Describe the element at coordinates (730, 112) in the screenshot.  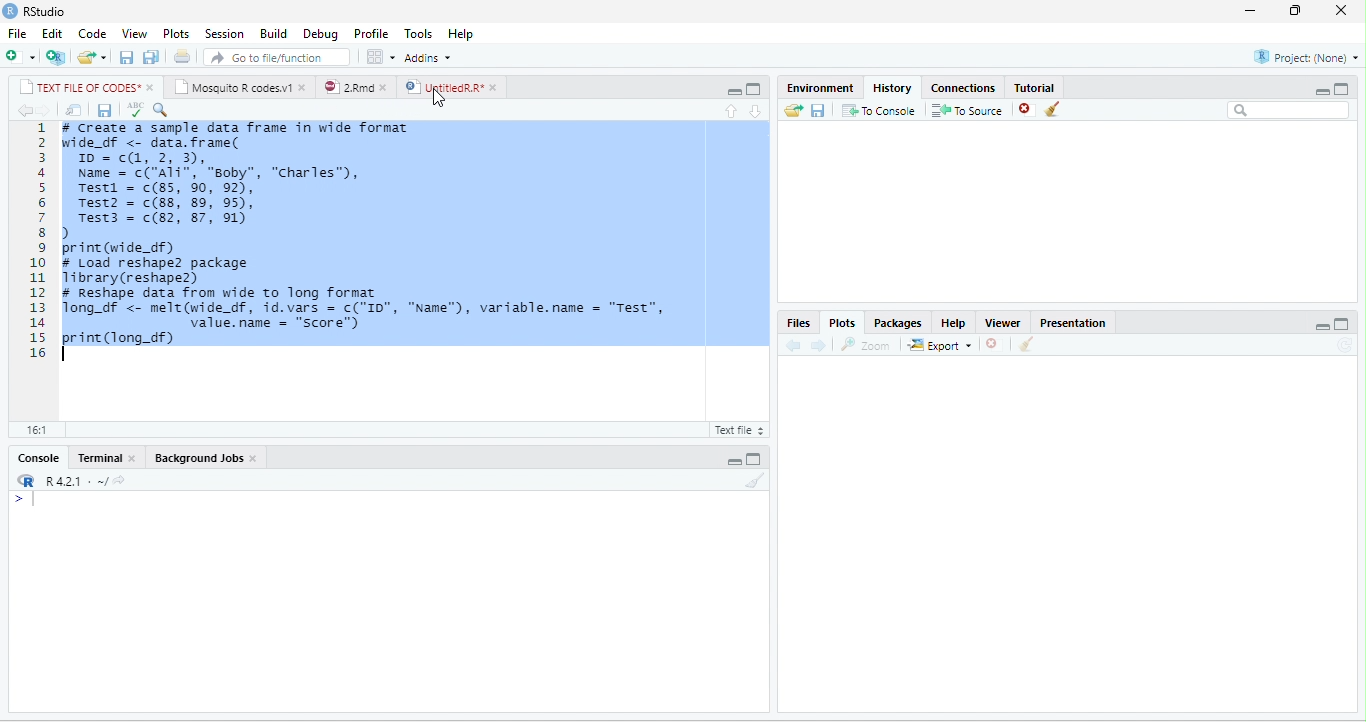
I see `up` at that location.